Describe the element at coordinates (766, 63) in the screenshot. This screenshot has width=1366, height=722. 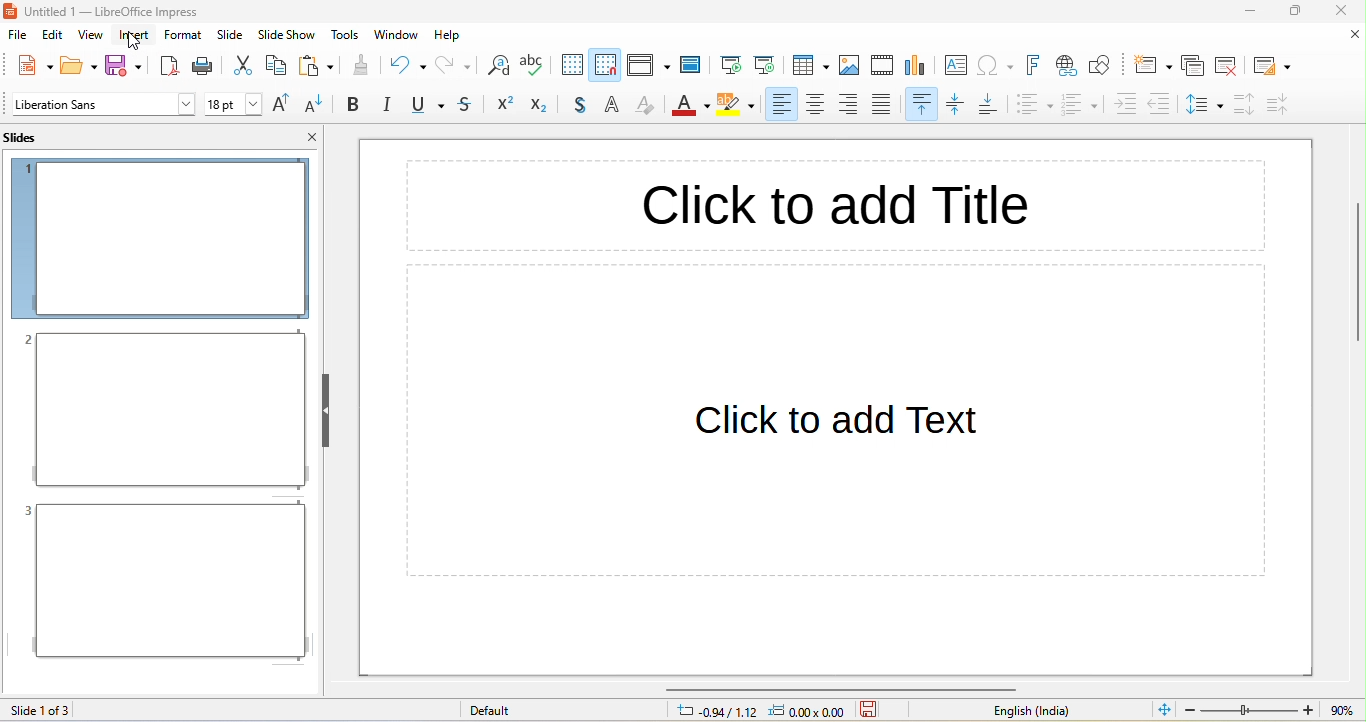
I see `current slide` at that location.